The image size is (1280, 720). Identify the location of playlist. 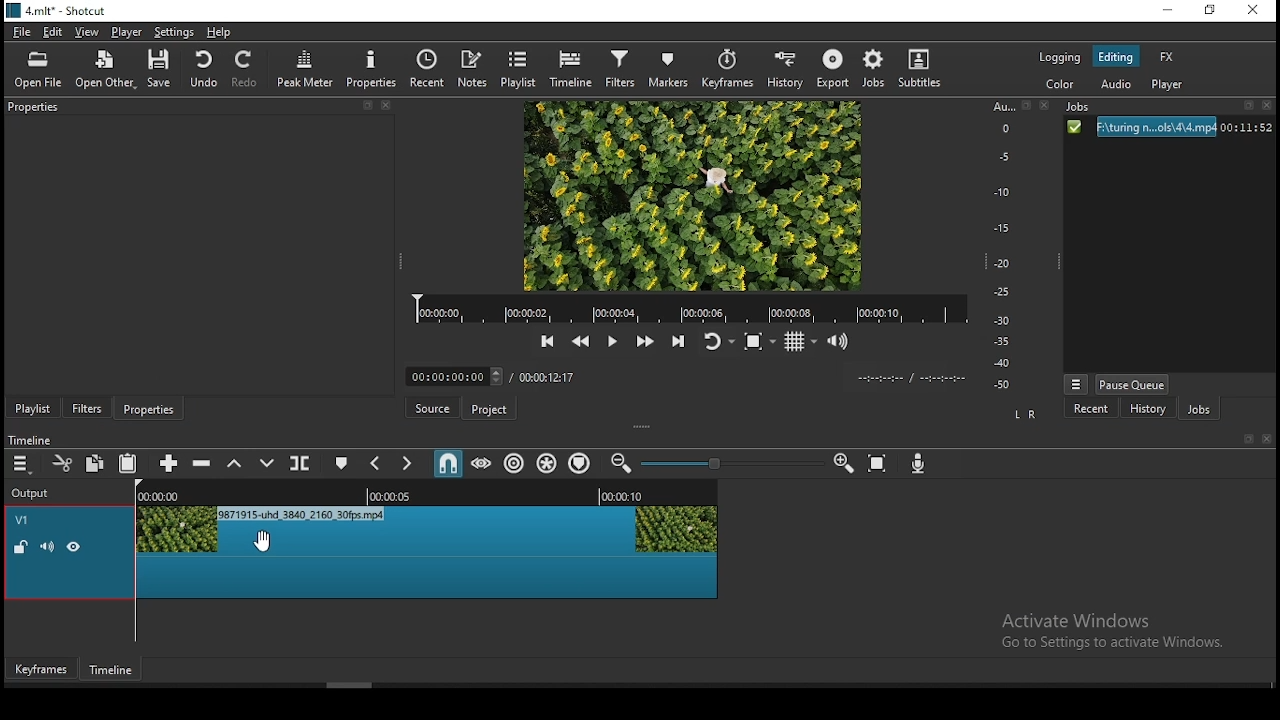
(33, 407).